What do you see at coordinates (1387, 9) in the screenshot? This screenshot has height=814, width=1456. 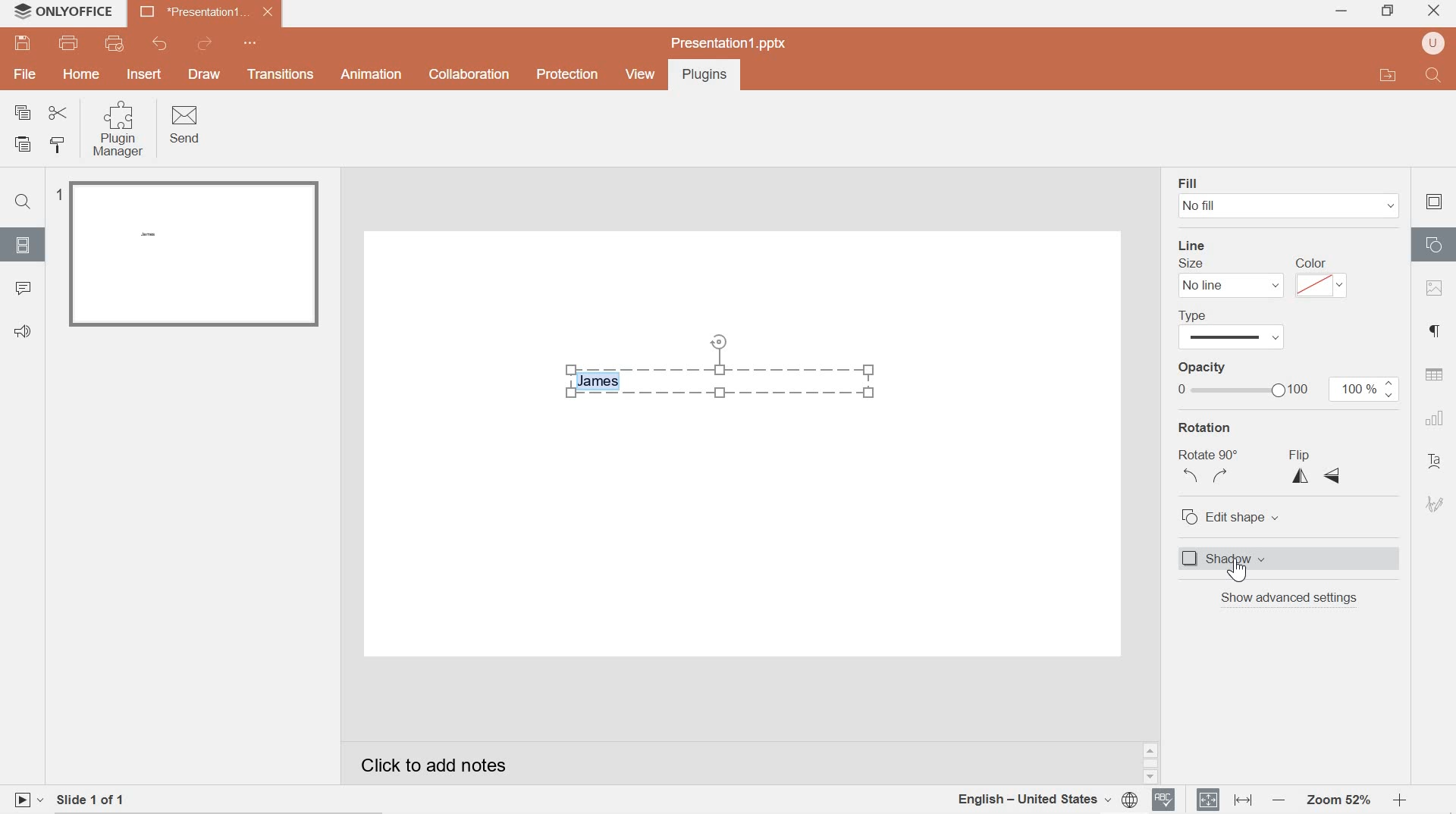 I see `restore down` at bounding box center [1387, 9].